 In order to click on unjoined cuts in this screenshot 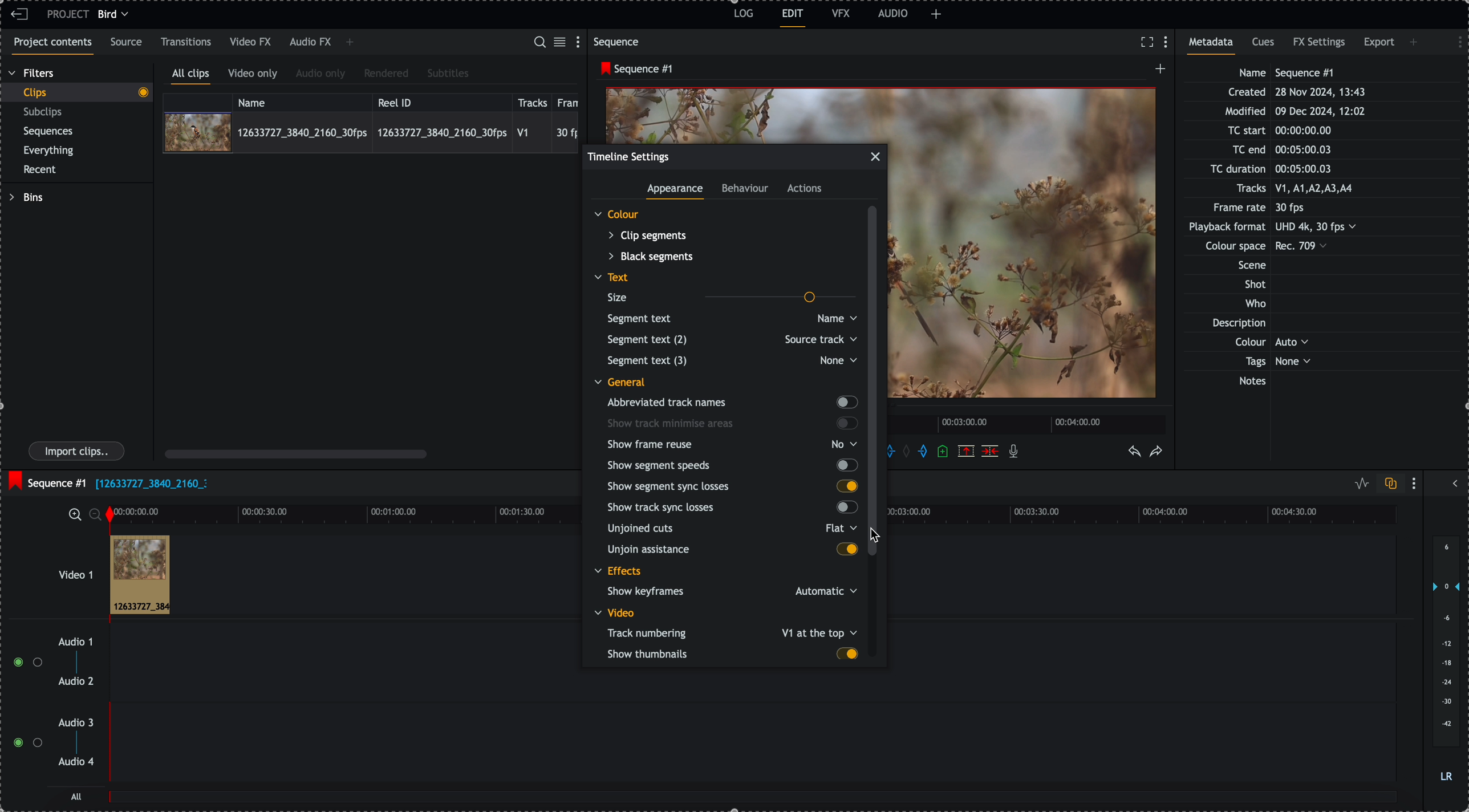, I will do `click(731, 528)`.